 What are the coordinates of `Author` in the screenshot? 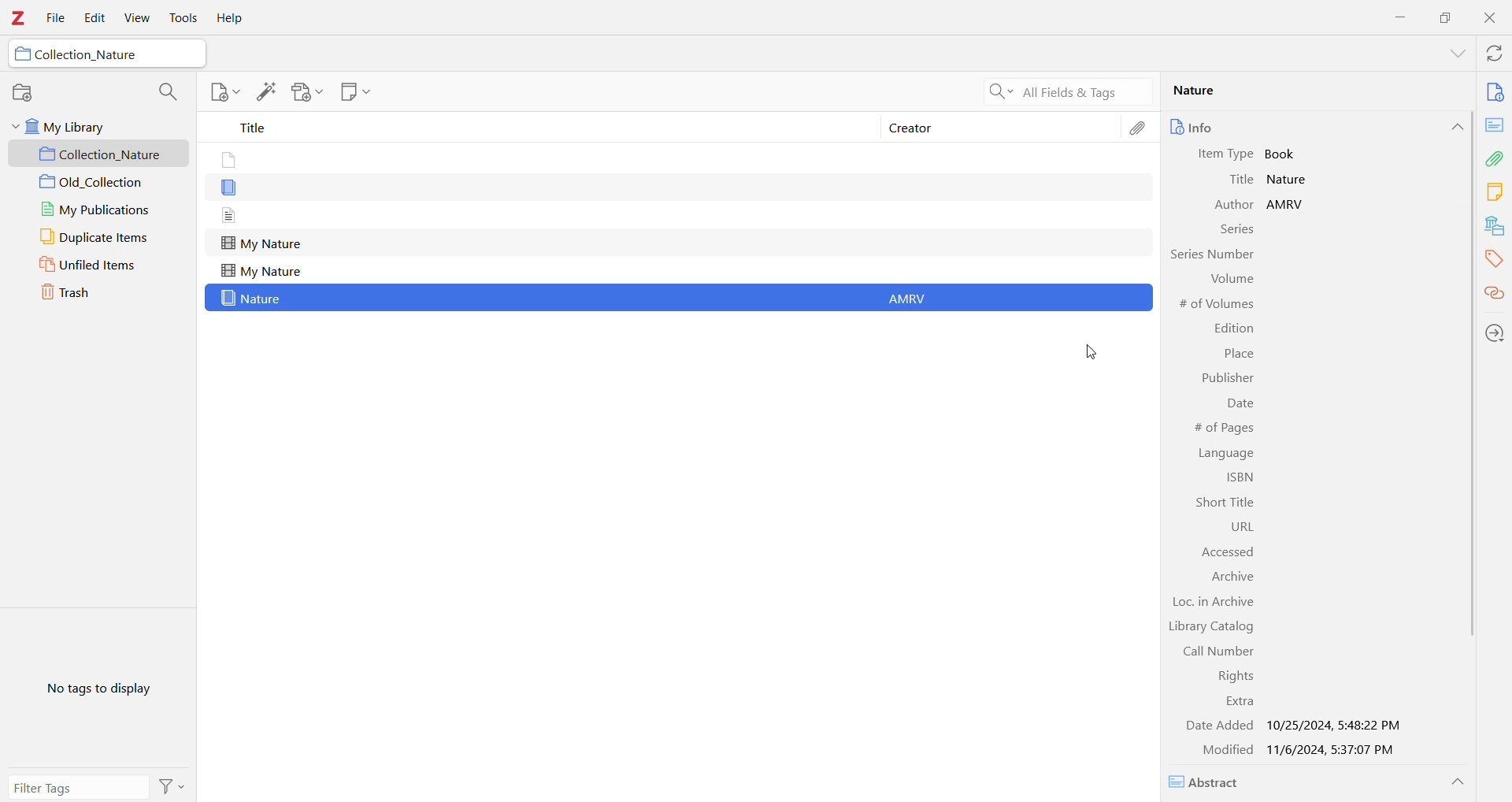 It's located at (1224, 206).